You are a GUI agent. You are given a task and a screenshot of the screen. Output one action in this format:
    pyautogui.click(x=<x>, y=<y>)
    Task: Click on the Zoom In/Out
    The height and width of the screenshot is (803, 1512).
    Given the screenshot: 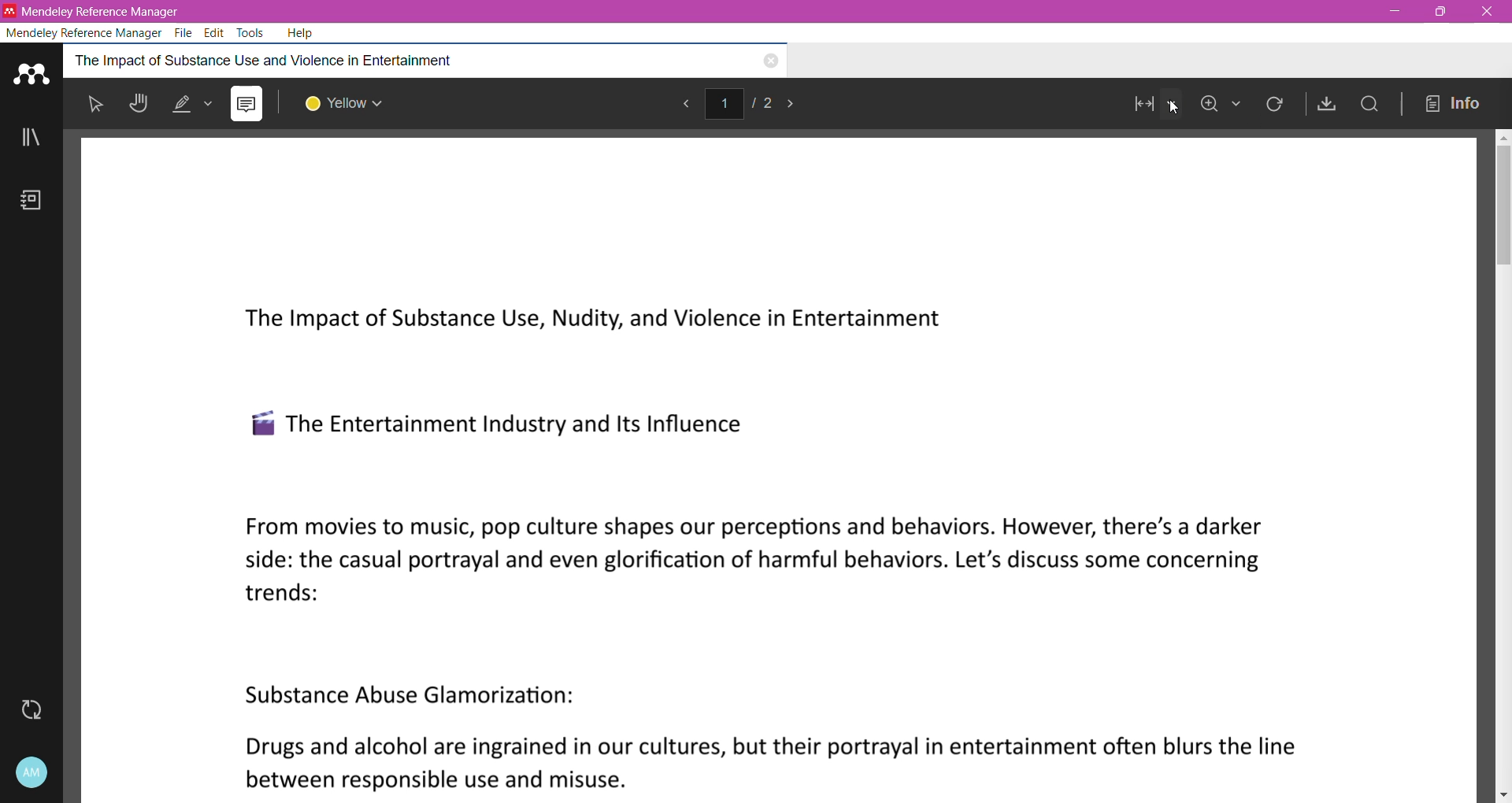 What is the action you would take?
    pyautogui.click(x=1227, y=105)
    